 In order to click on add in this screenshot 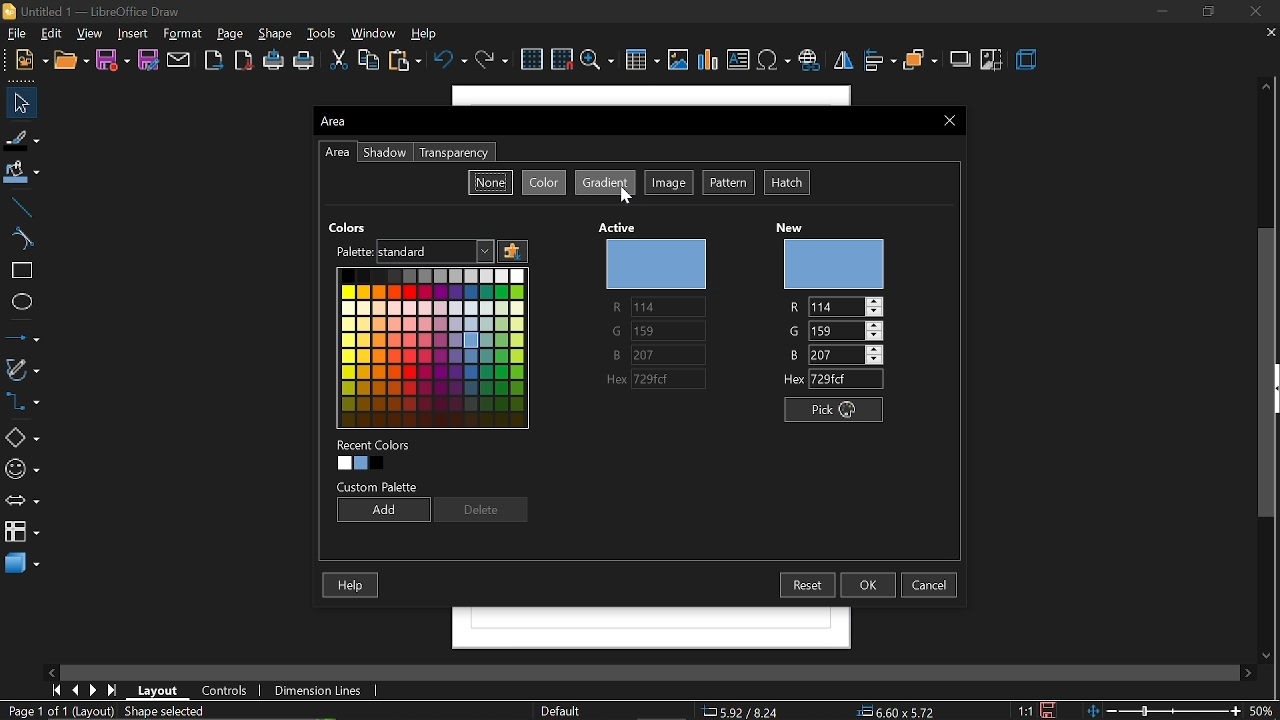, I will do `click(382, 511)`.